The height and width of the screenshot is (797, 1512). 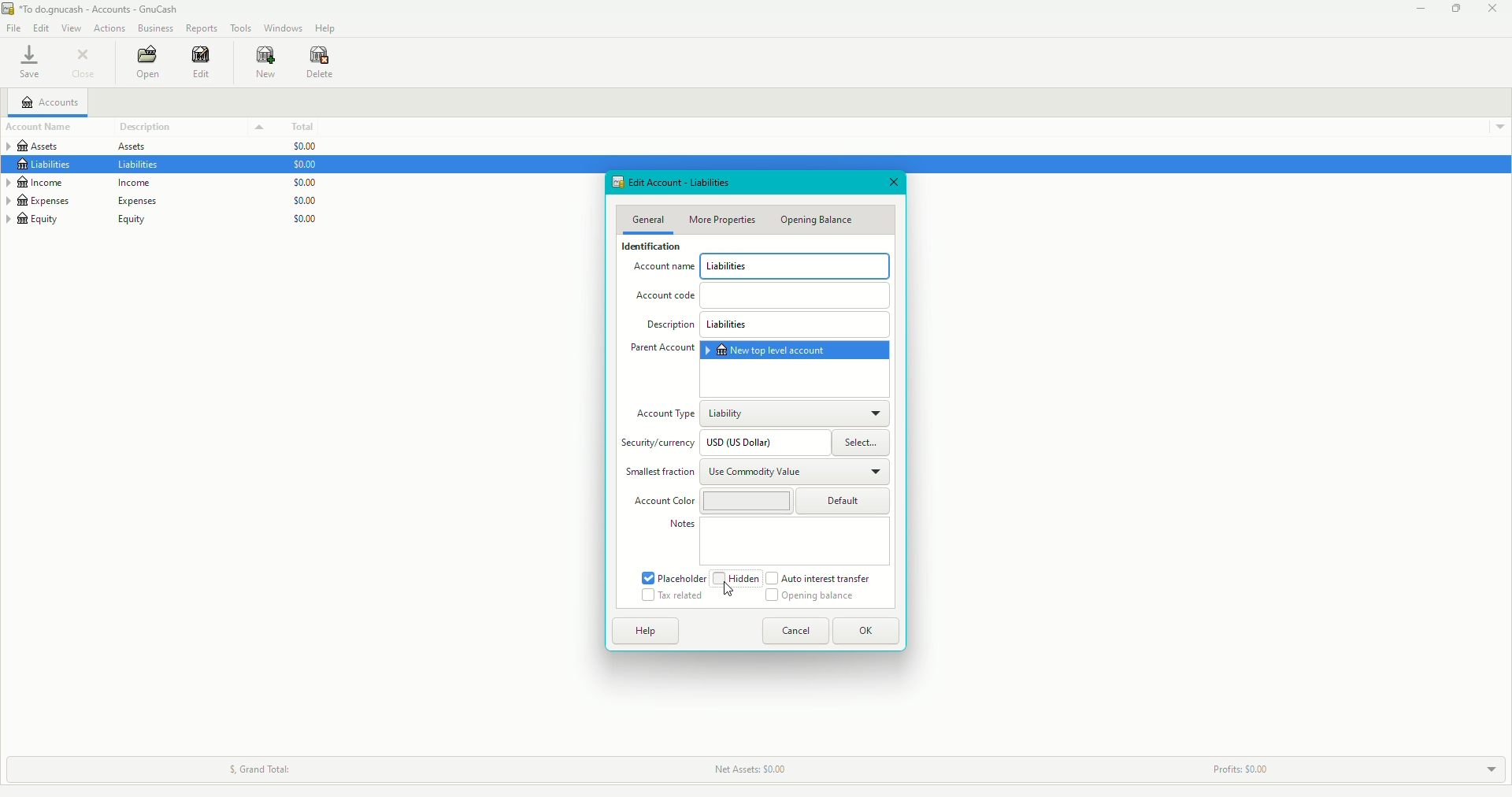 What do you see at coordinates (728, 594) in the screenshot?
I see `cursor` at bounding box center [728, 594].